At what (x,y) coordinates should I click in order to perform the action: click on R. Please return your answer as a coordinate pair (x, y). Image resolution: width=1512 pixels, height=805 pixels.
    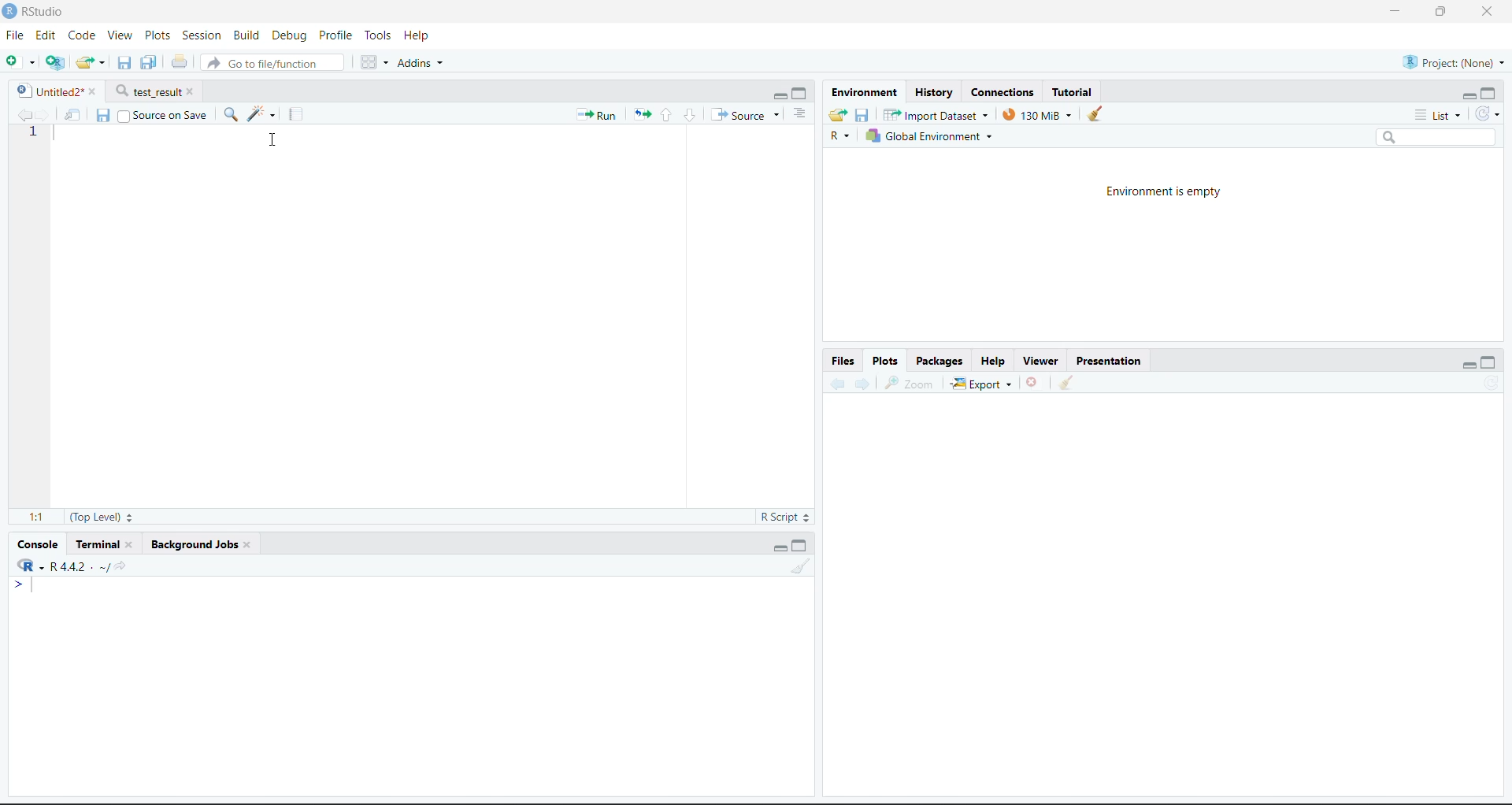
    Looking at the image, I should click on (27, 566).